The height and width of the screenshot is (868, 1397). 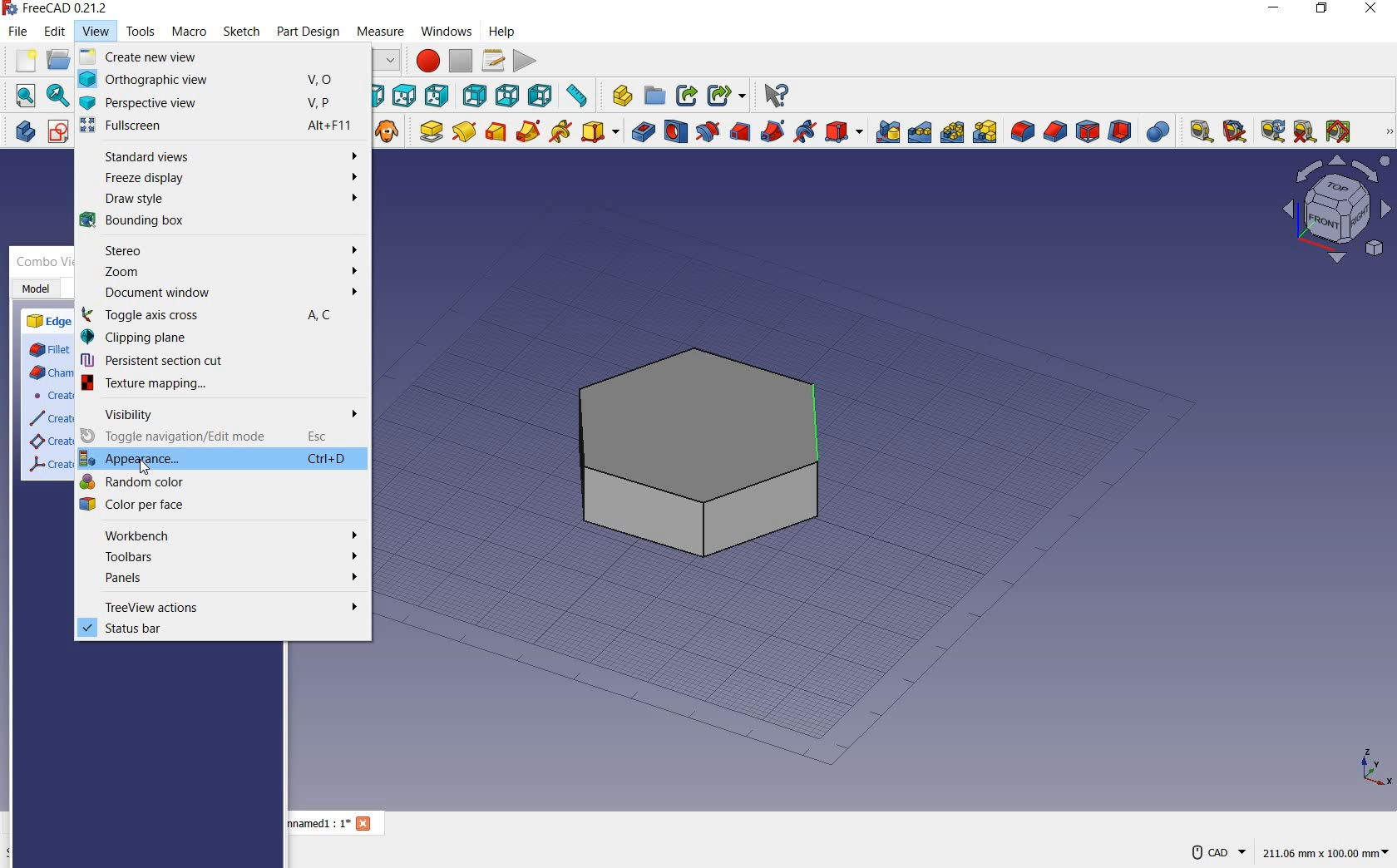 I want to click on bounding box, so click(x=222, y=224).